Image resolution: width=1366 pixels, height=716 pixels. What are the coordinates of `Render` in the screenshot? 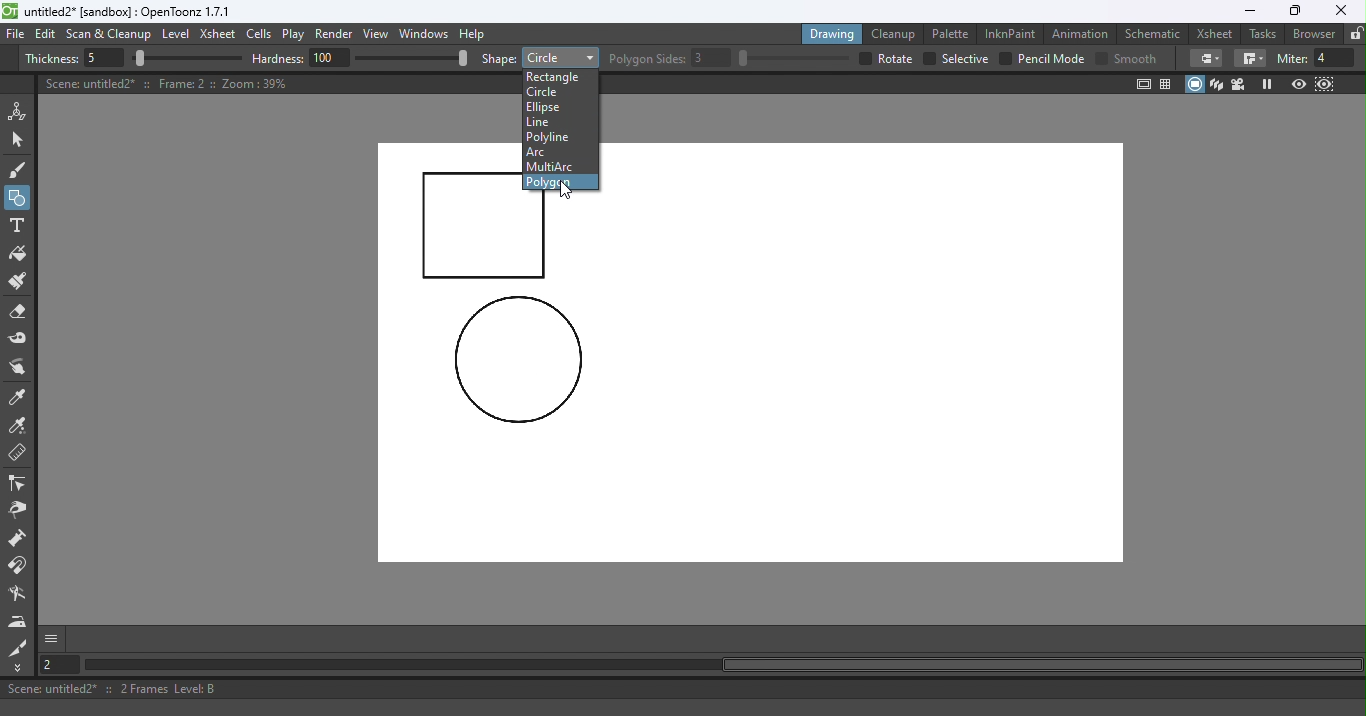 It's located at (337, 35).